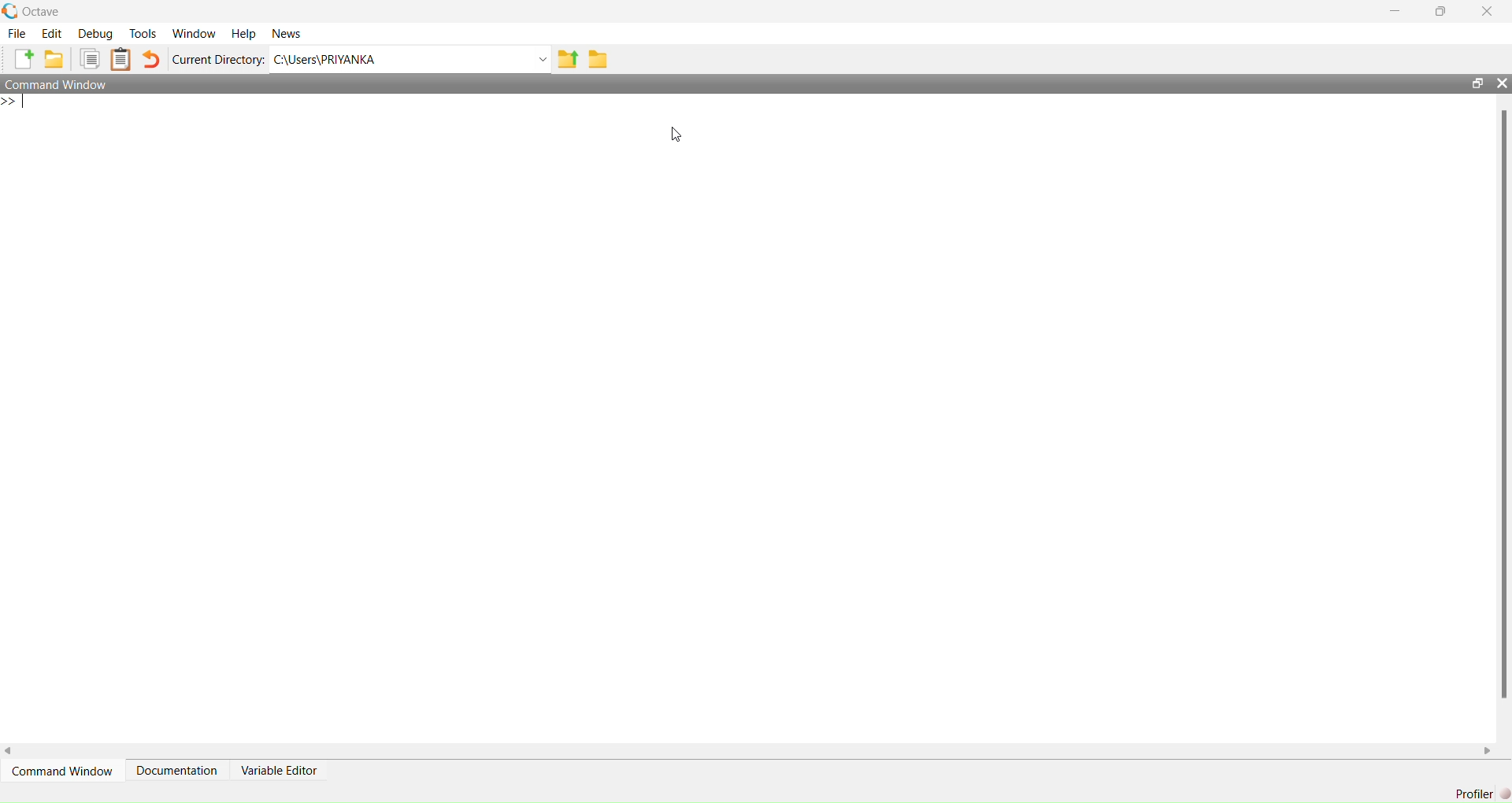 The width and height of the screenshot is (1512, 803). I want to click on close, so click(1488, 9).